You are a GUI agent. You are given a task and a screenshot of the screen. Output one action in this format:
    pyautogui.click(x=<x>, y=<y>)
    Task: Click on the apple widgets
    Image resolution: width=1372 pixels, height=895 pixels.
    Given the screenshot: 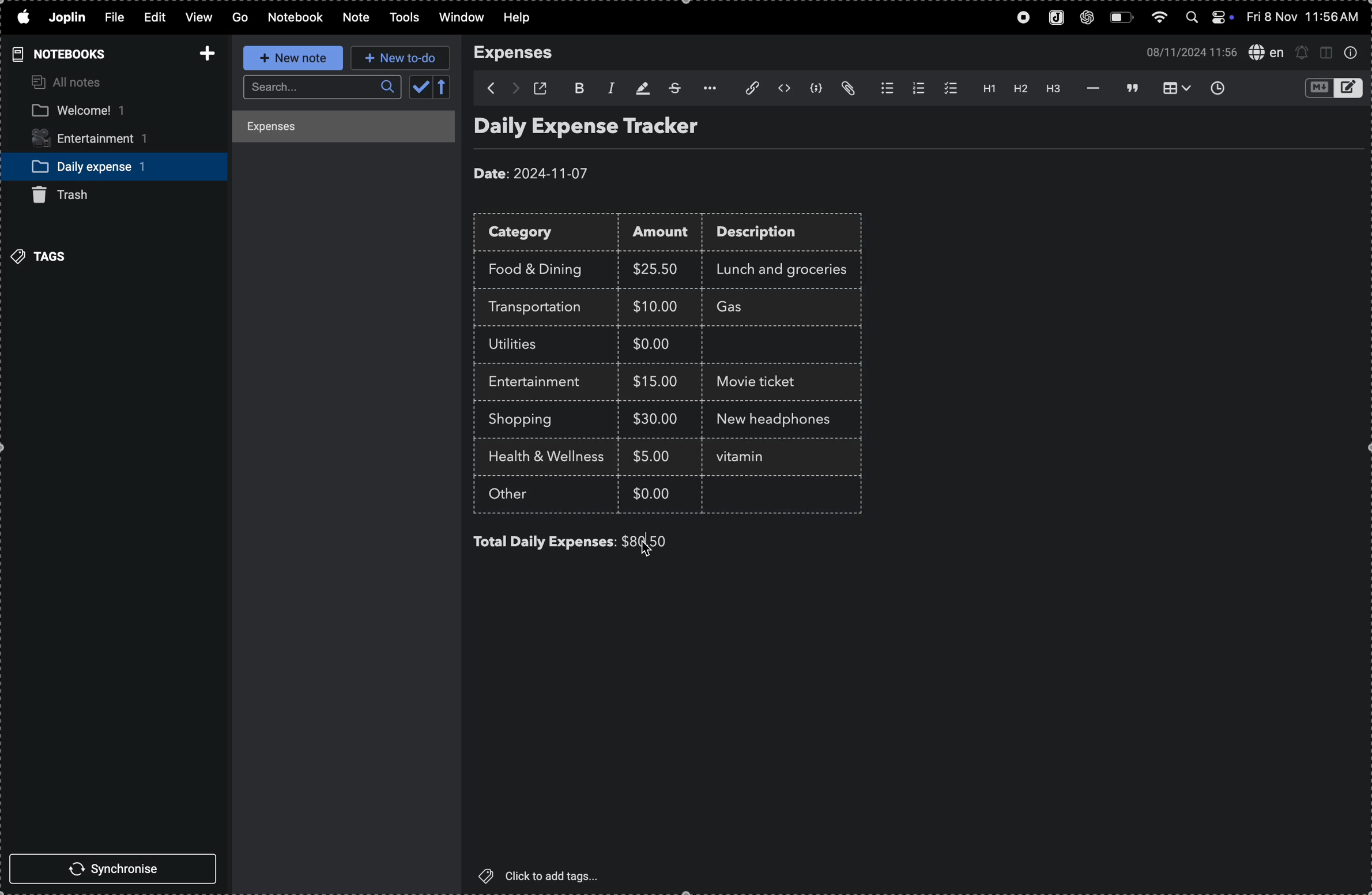 What is the action you would take?
    pyautogui.click(x=1208, y=18)
    